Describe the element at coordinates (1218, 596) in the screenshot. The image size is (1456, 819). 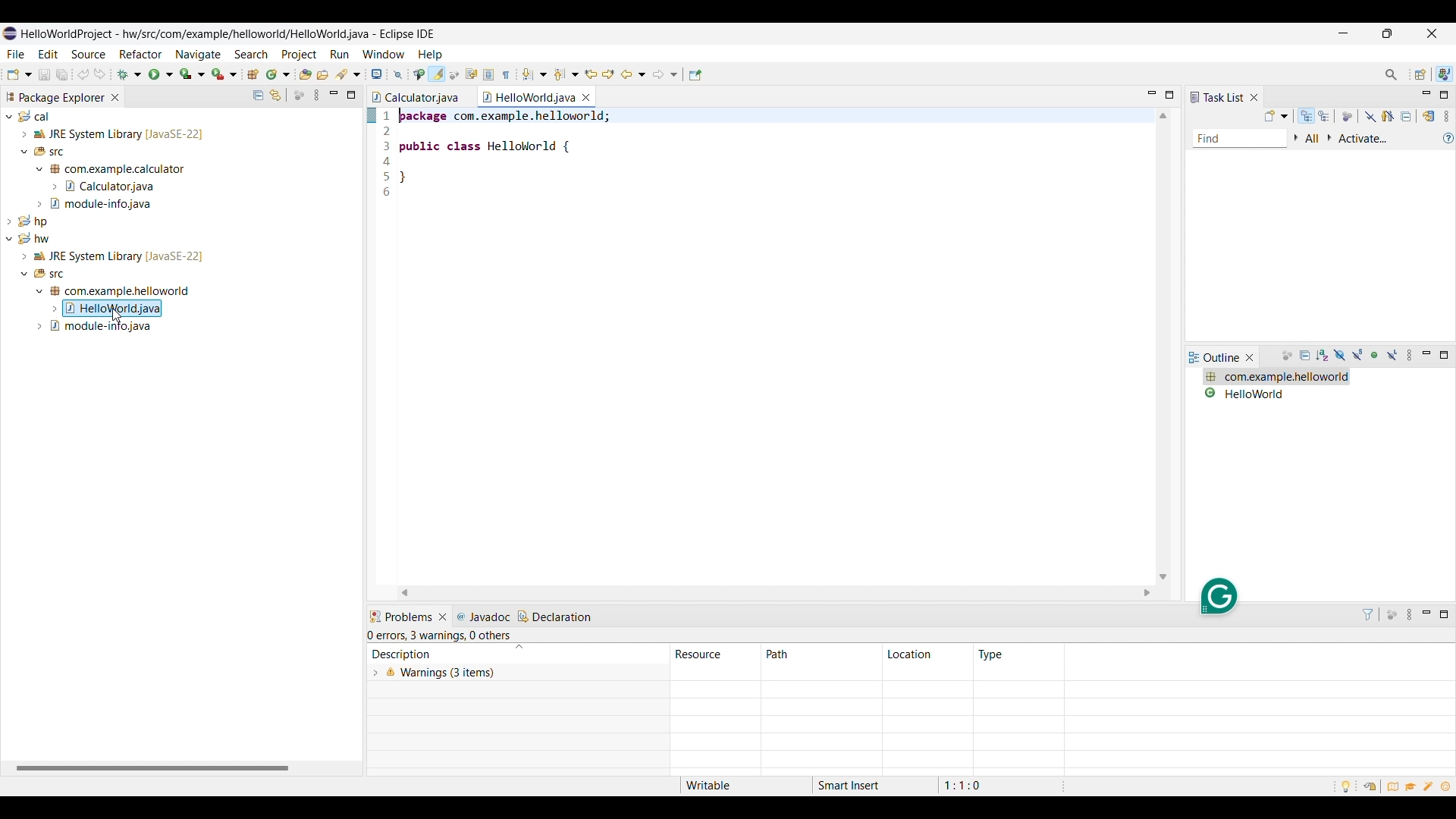
I see `Grammarly grammar checker` at that location.